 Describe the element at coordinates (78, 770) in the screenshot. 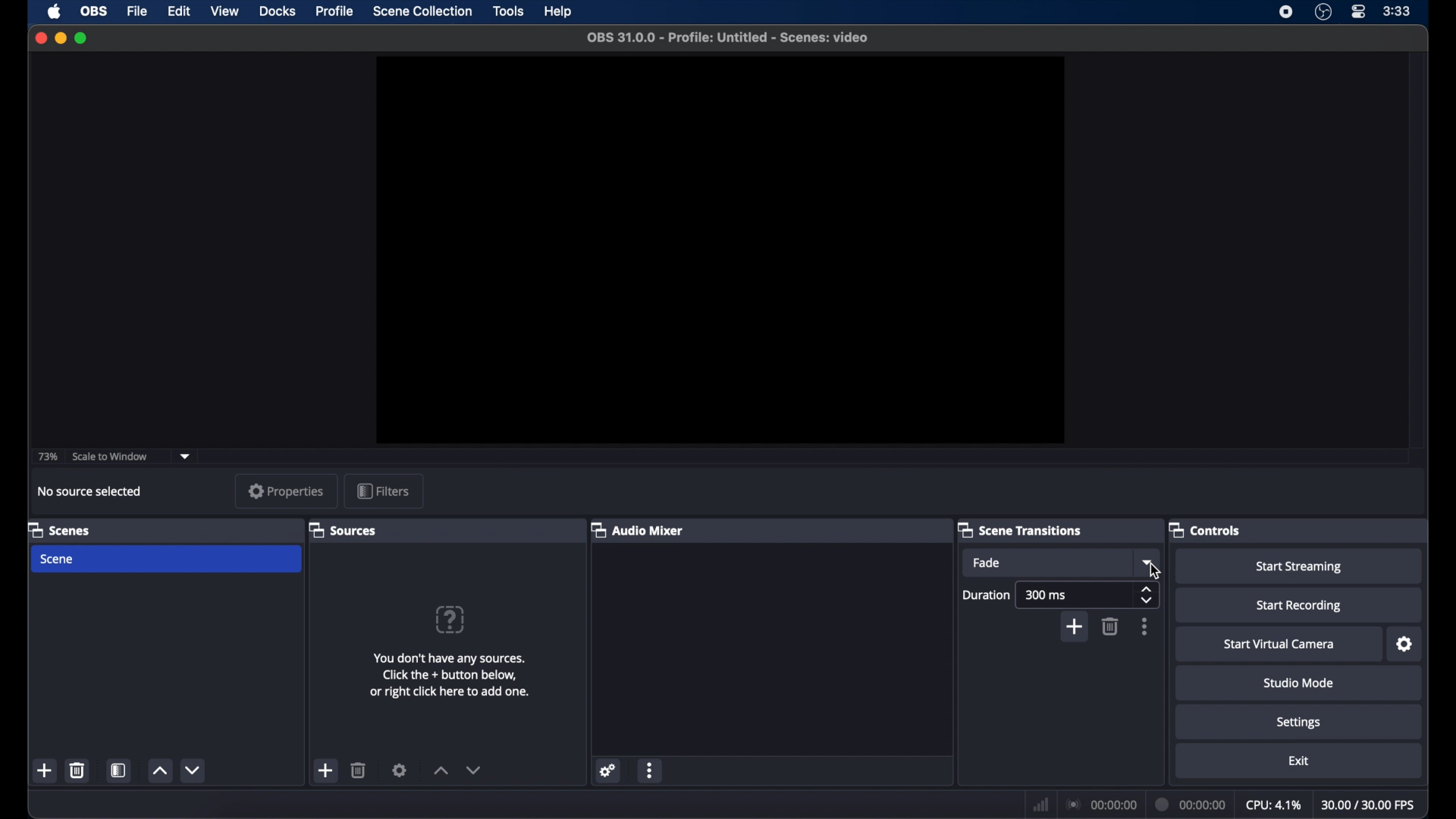

I see `delete` at that location.